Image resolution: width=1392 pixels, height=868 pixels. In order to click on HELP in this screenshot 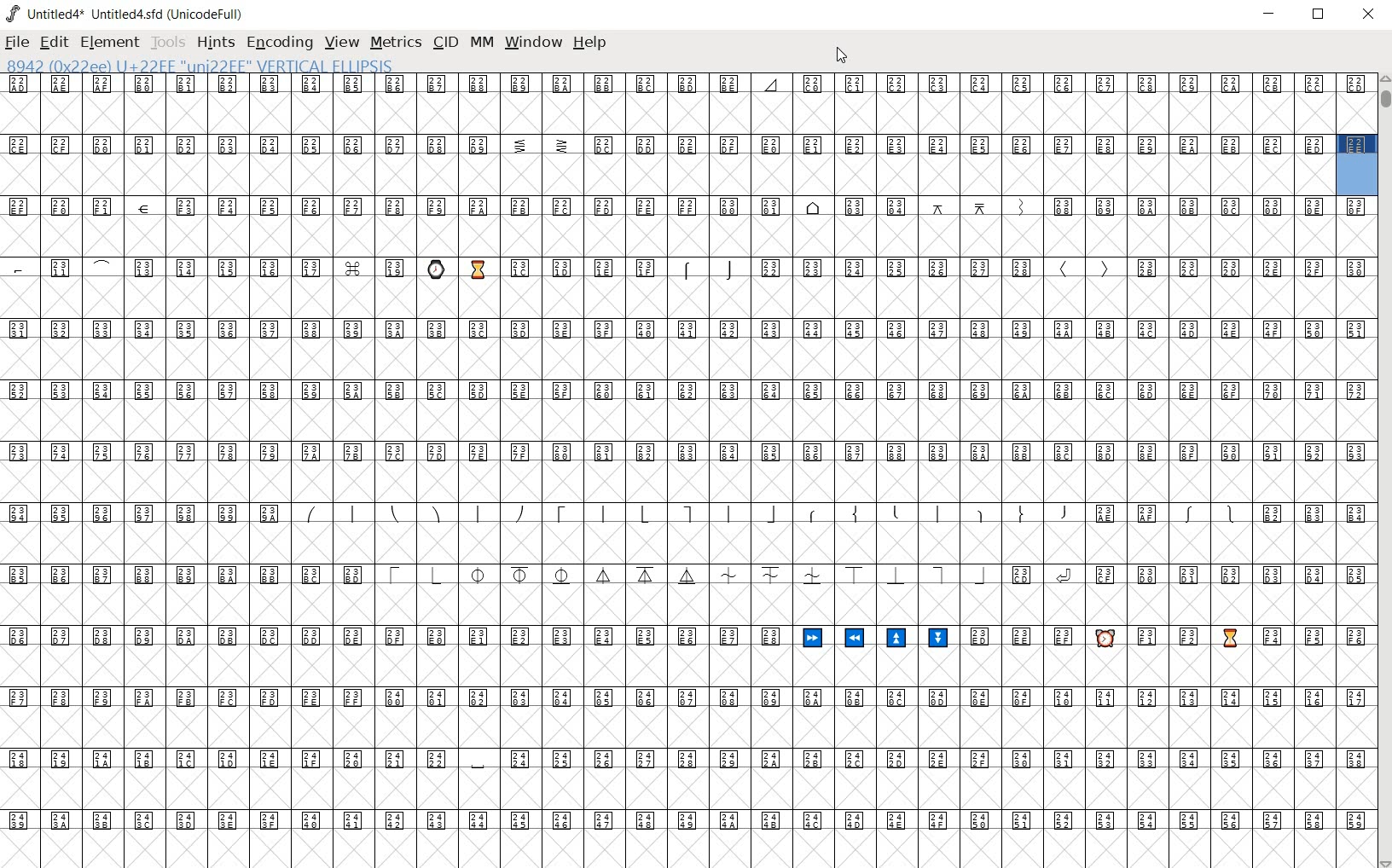, I will do `click(589, 43)`.